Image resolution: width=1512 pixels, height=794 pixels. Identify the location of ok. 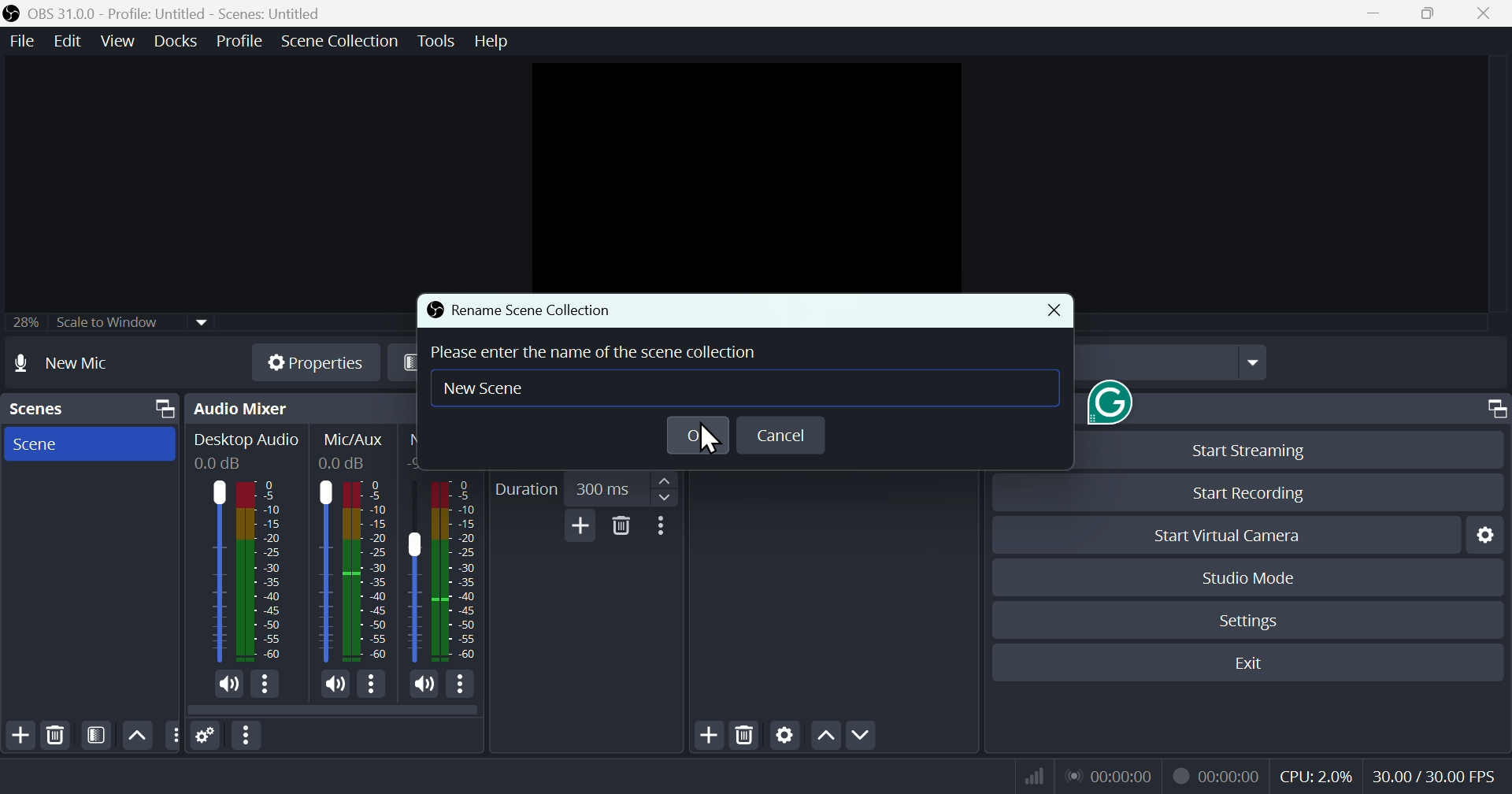
(699, 434).